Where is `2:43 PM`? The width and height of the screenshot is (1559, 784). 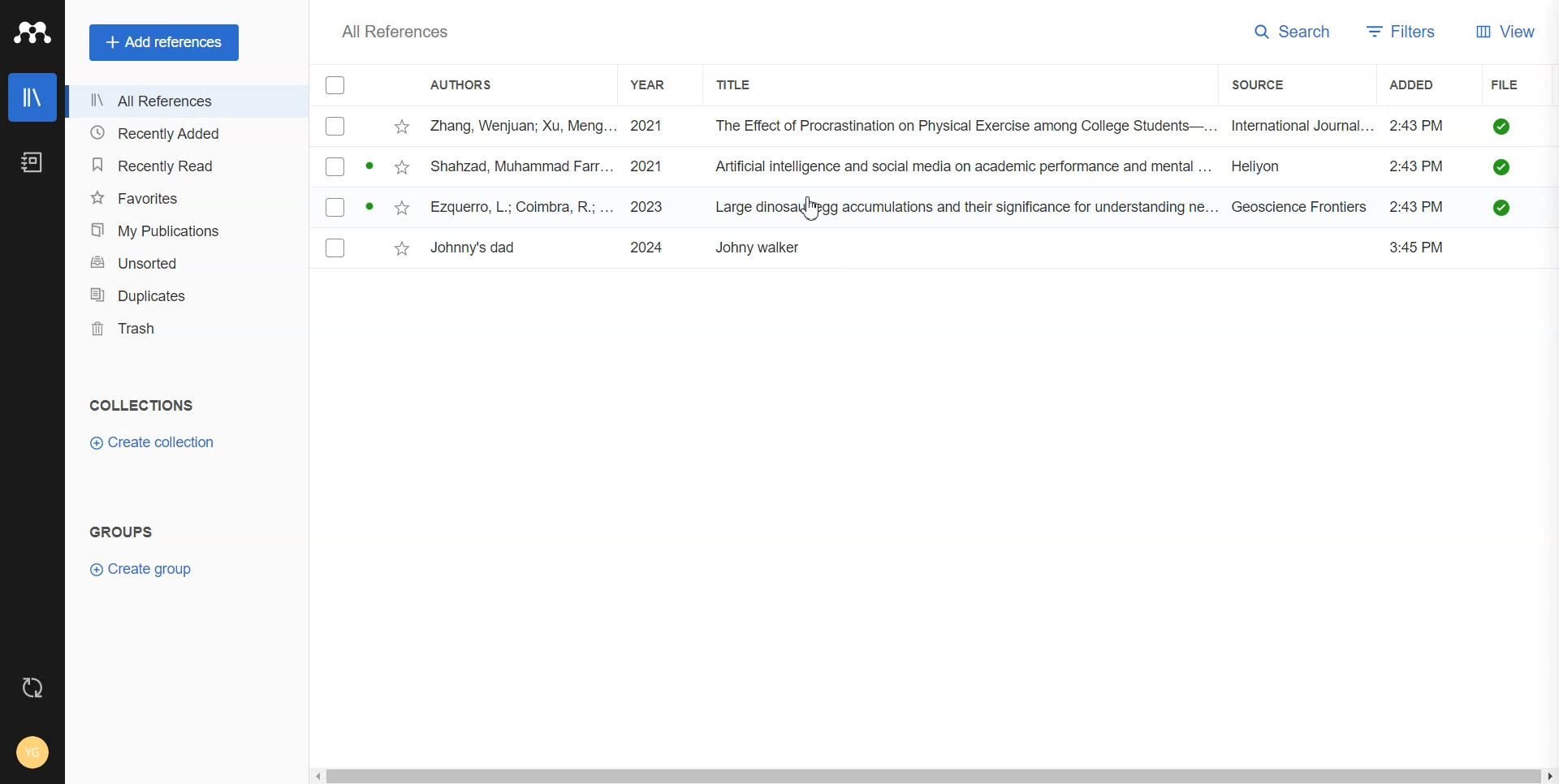 2:43 PM is located at coordinates (1419, 207).